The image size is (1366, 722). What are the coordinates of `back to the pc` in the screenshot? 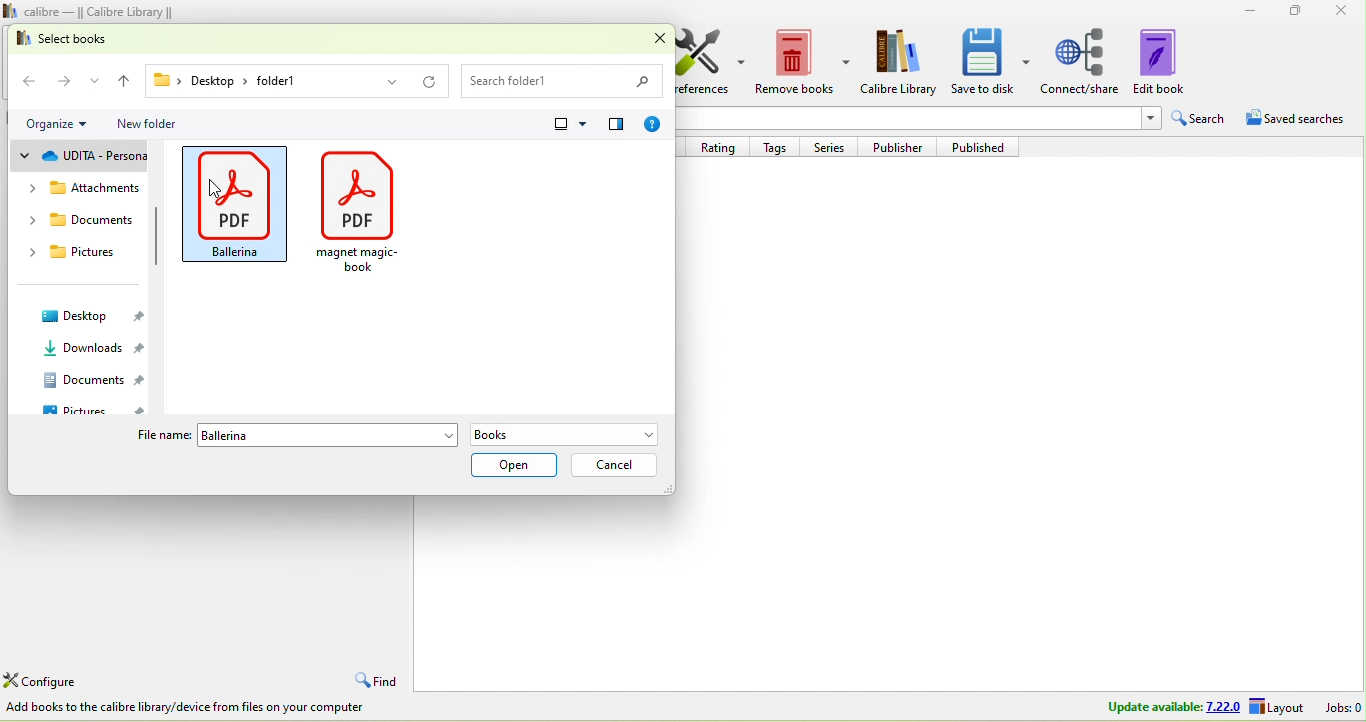 It's located at (31, 77).